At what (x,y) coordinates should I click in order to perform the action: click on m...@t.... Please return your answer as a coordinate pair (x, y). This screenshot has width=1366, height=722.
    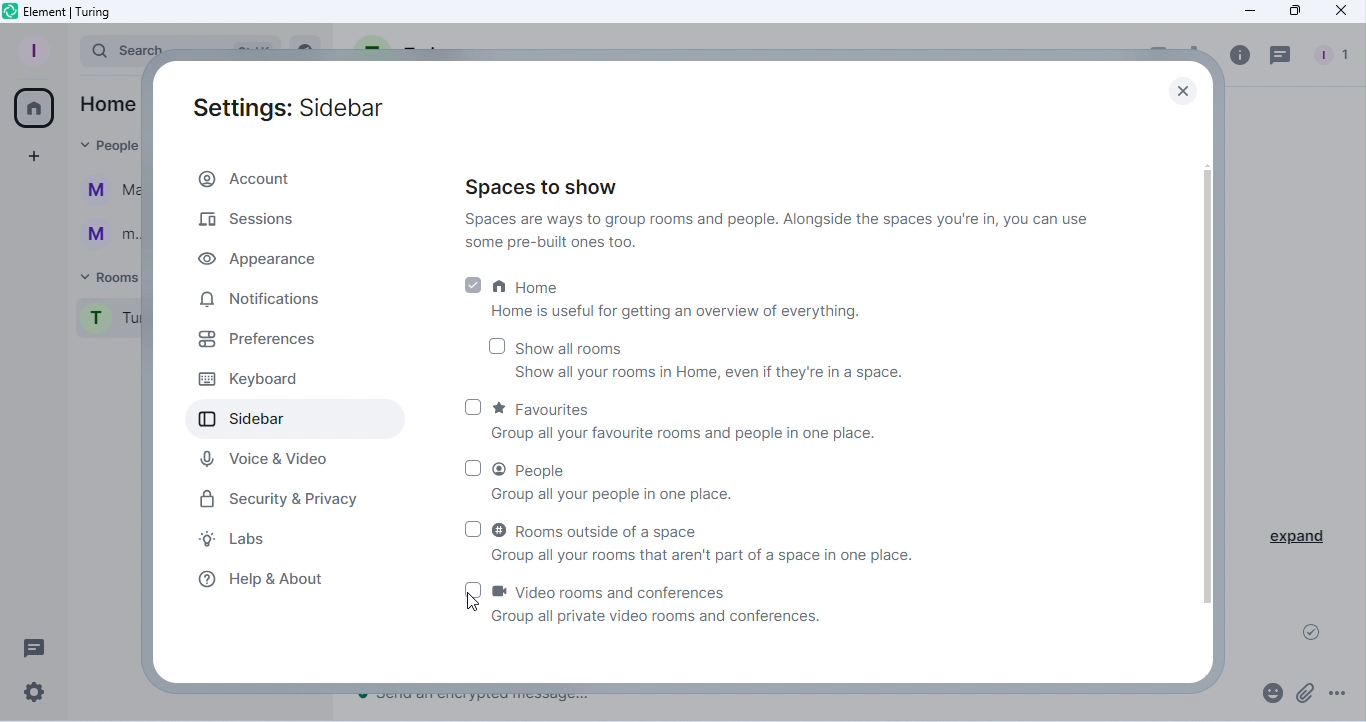
    Looking at the image, I should click on (106, 235).